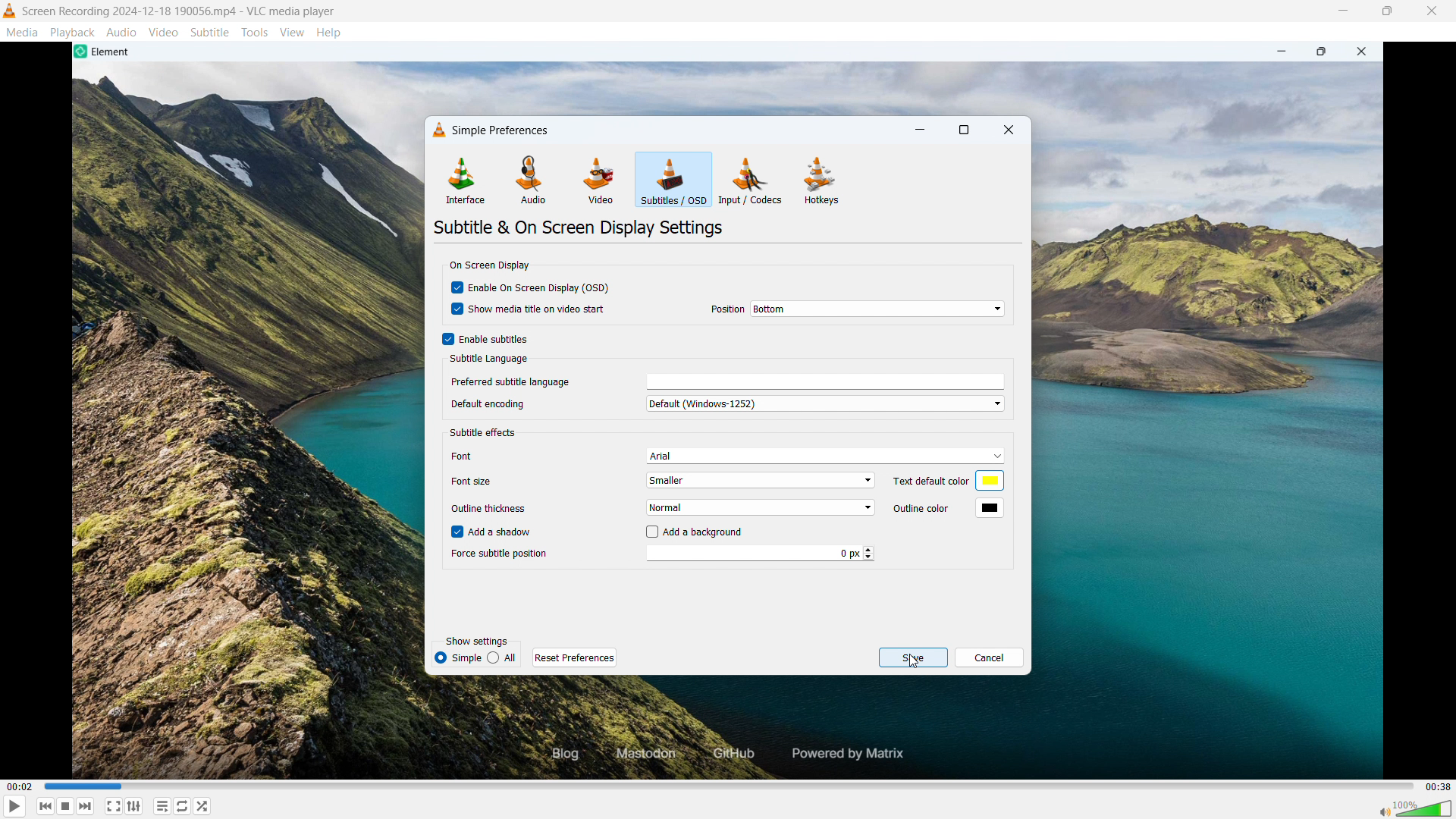 Image resolution: width=1456 pixels, height=819 pixels. What do you see at coordinates (494, 506) in the screenshot?
I see `| Outline thickness` at bounding box center [494, 506].